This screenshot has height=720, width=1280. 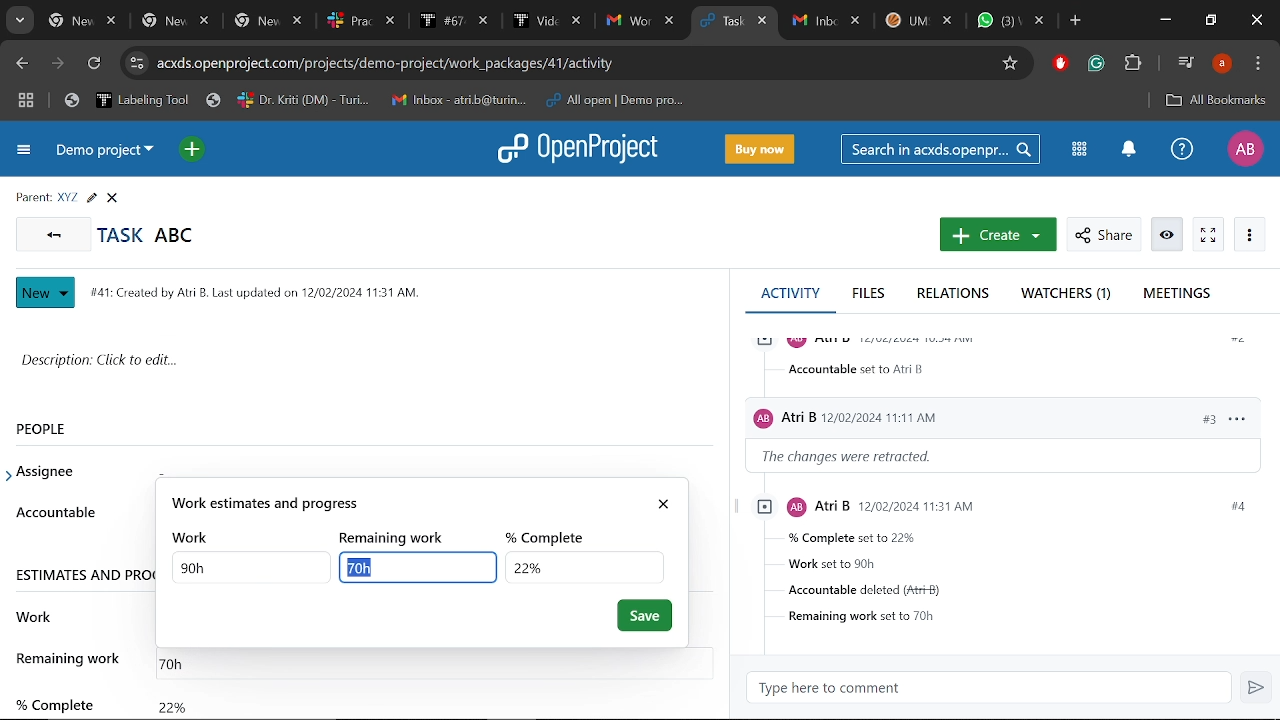 I want to click on Save, so click(x=645, y=616).